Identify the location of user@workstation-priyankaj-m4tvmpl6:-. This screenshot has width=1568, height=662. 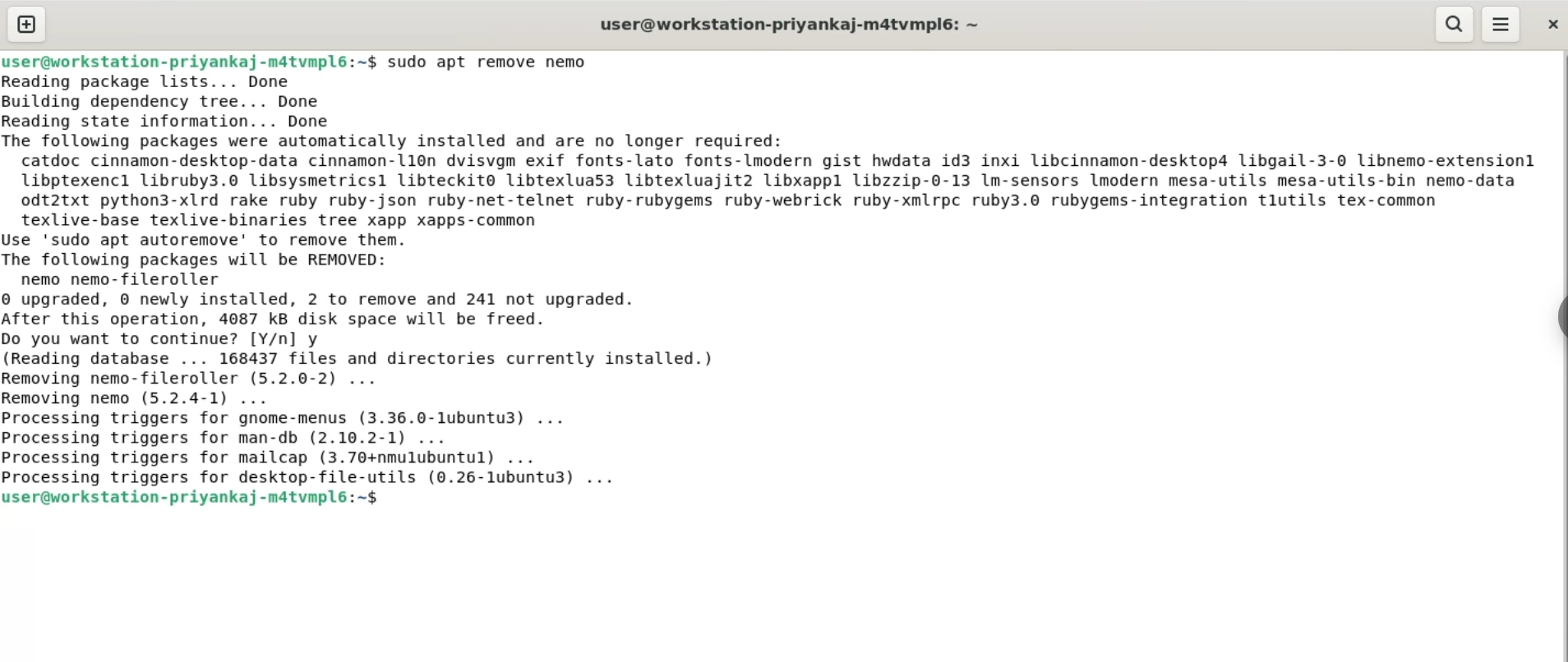
(791, 23).